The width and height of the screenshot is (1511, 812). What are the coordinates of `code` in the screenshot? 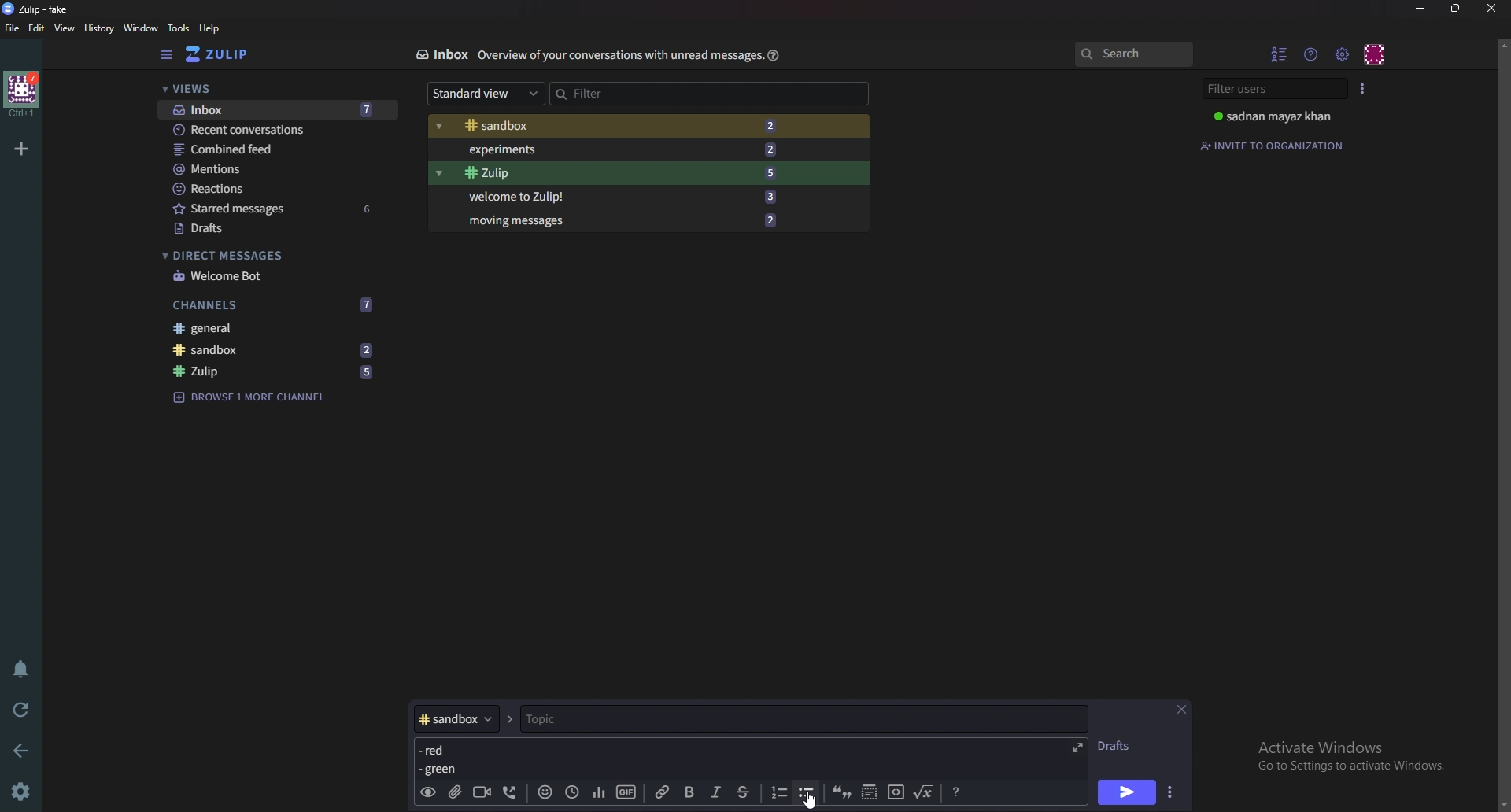 It's located at (896, 791).